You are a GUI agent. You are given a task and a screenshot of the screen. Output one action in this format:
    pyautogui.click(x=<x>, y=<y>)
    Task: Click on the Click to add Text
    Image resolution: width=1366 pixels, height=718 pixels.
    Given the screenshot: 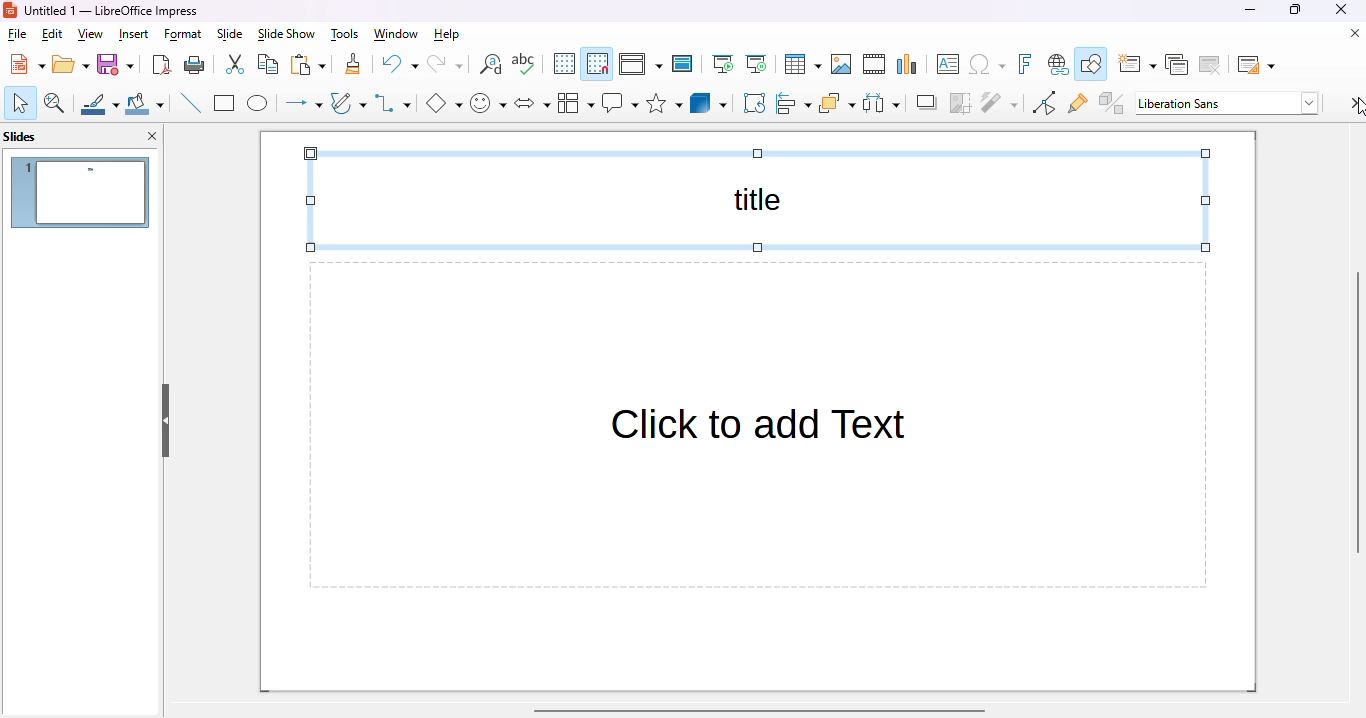 What is the action you would take?
    pyautogui.click(x=757, y=476)
    